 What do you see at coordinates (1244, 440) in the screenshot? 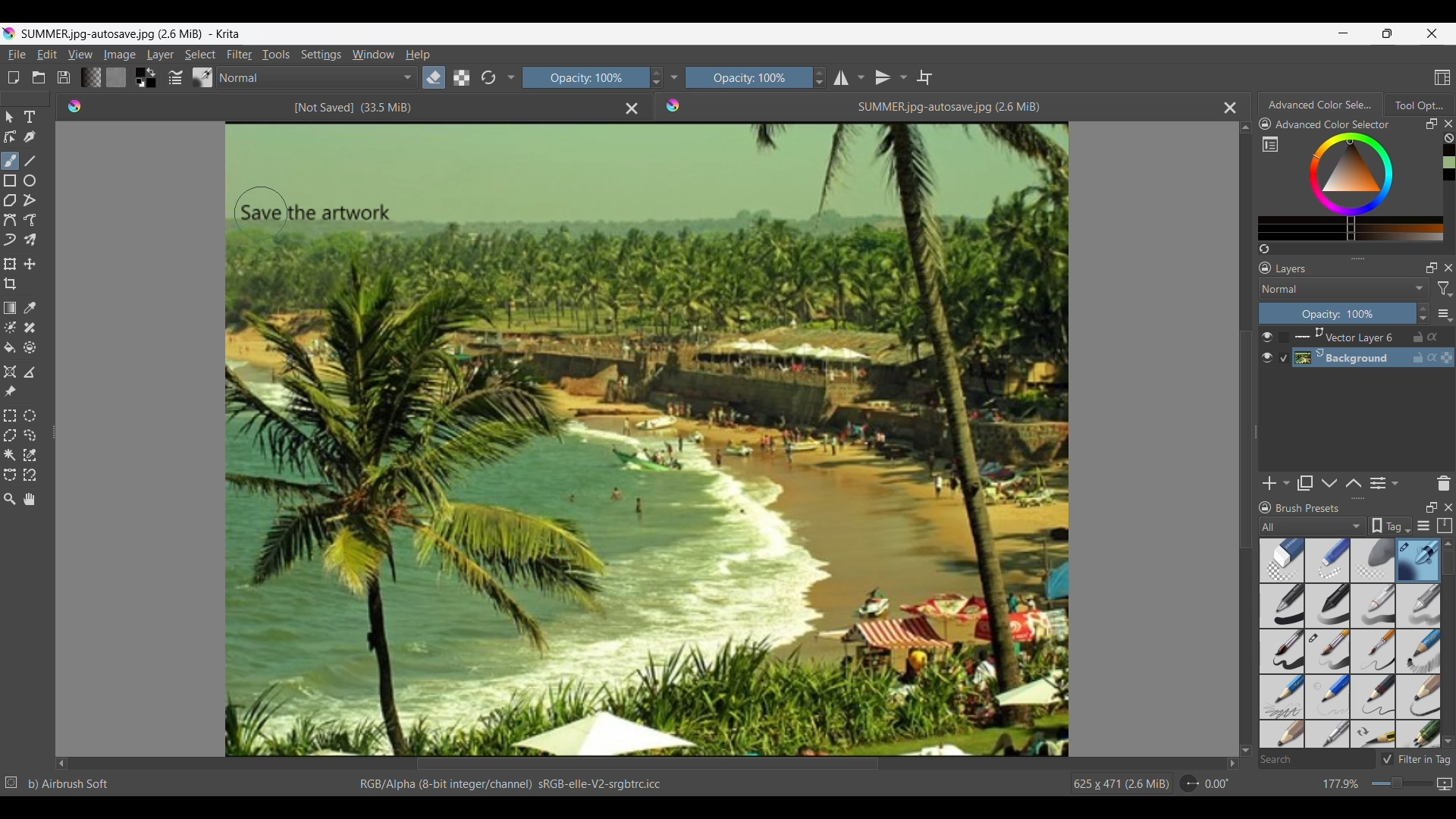
I see `Vertical slide bar` at bounding box center [1244, 440].